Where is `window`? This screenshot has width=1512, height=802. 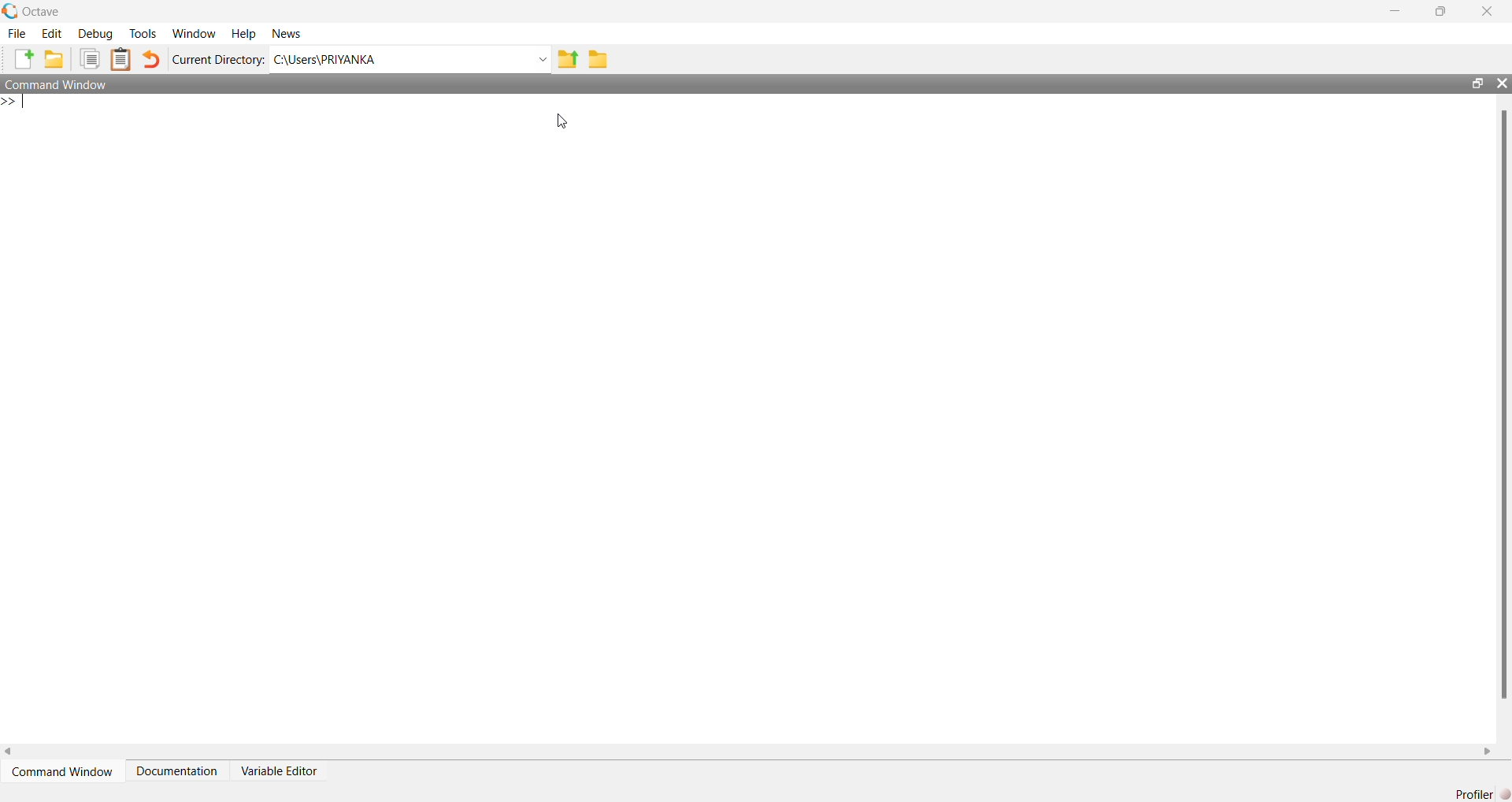 window is located at coordinates (194, 32).